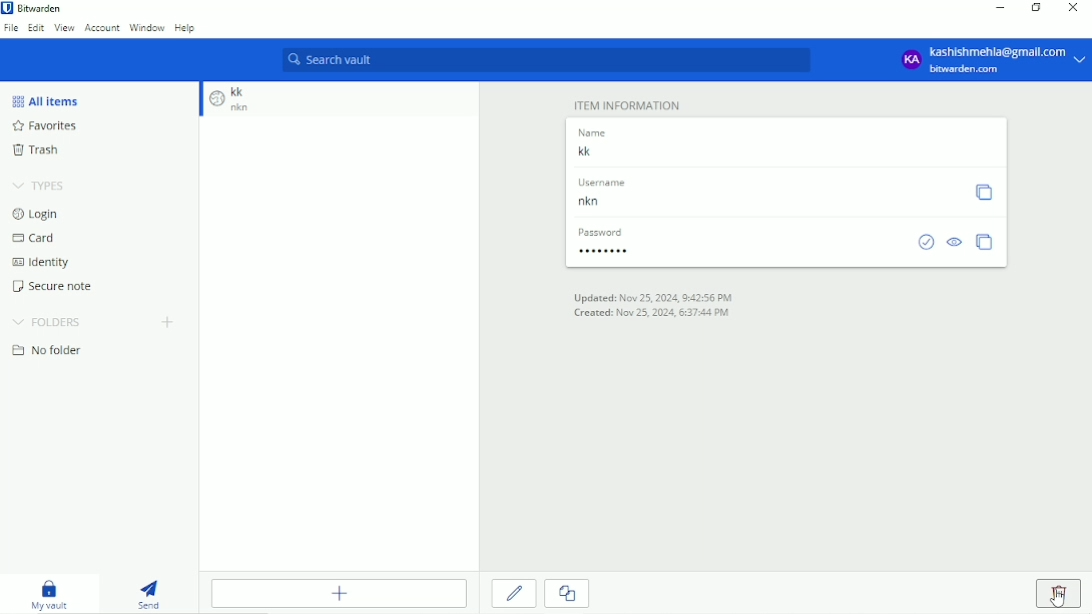 This screenshot has height=614, width=1092. Describe the element at coordinates (152, 595) in the screenshot. I see `Send` at that location.